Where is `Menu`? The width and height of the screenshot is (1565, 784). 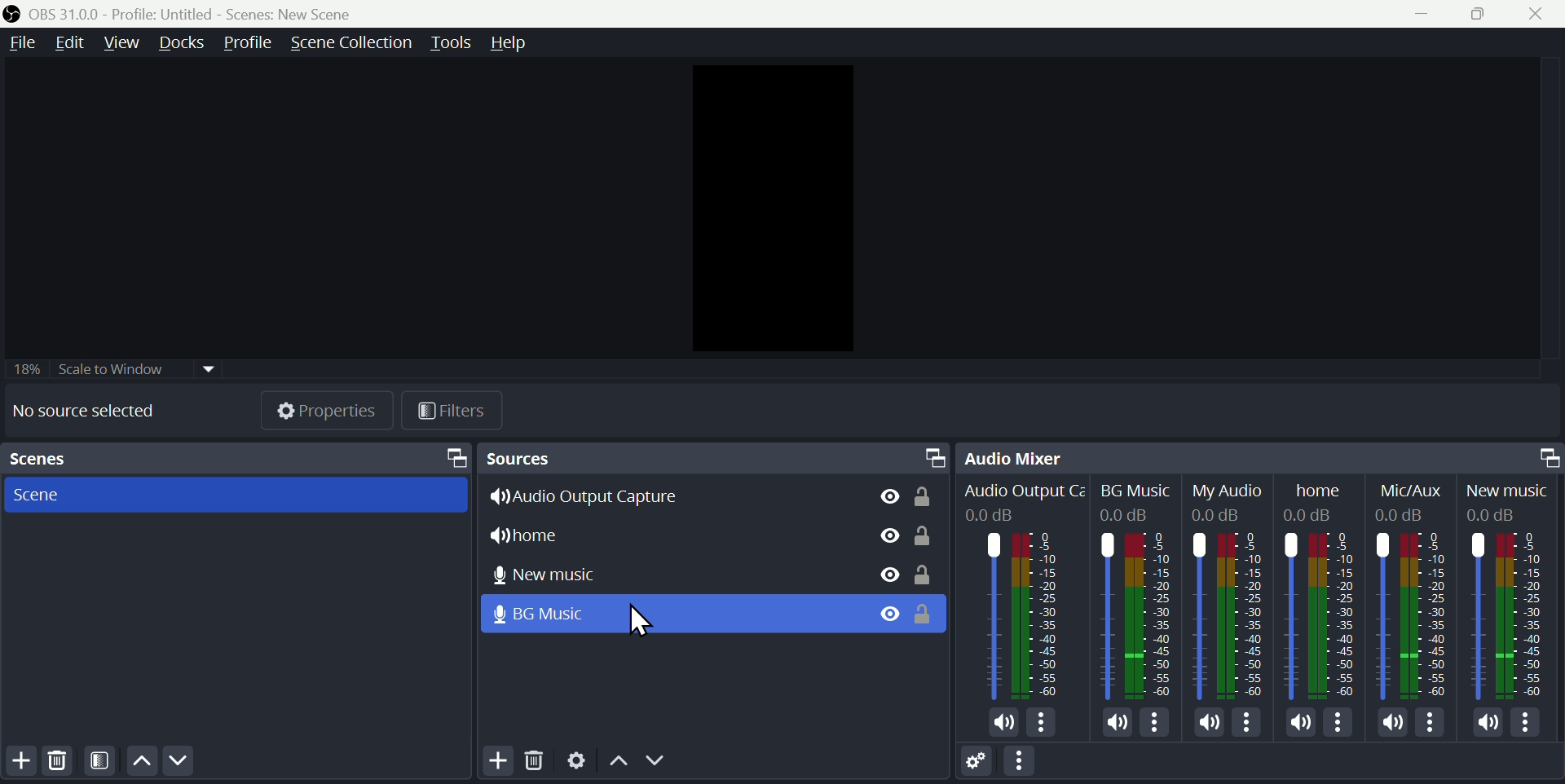 Menu is located at coordinates (934, 452).